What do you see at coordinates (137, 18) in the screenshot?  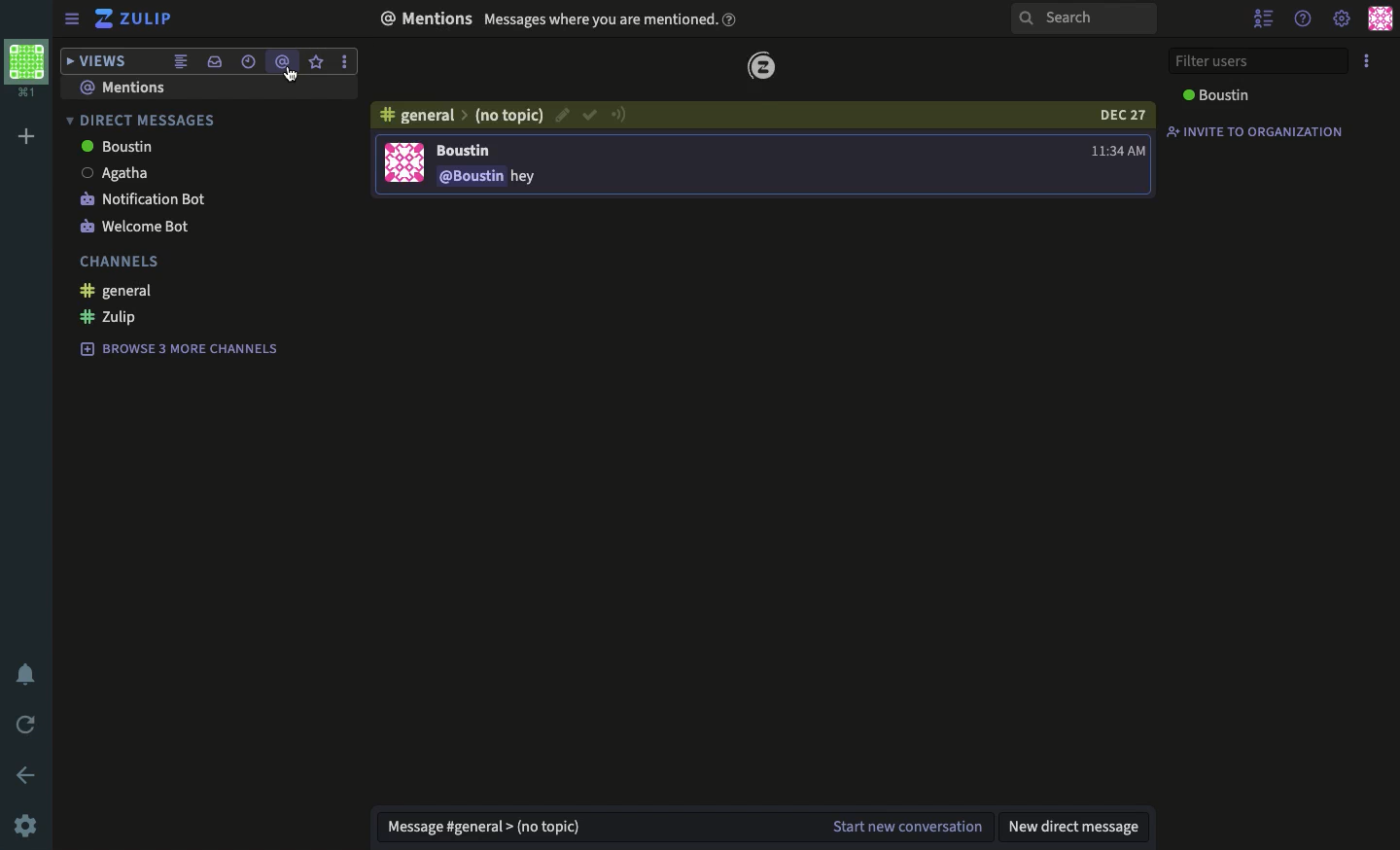 I see `zulip` at bounding box center [137, 18].